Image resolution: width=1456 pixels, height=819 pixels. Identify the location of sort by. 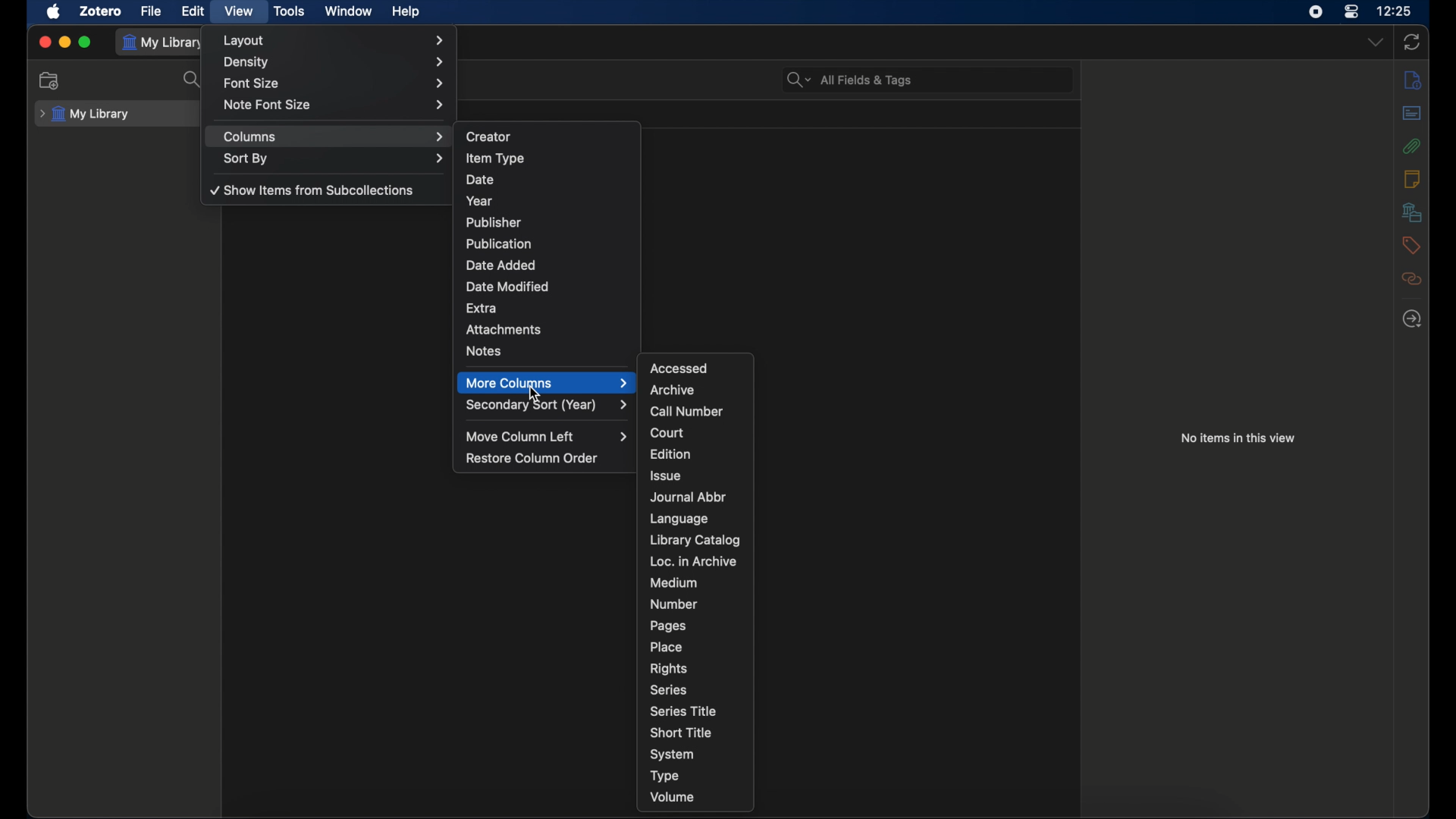
(334, 158).